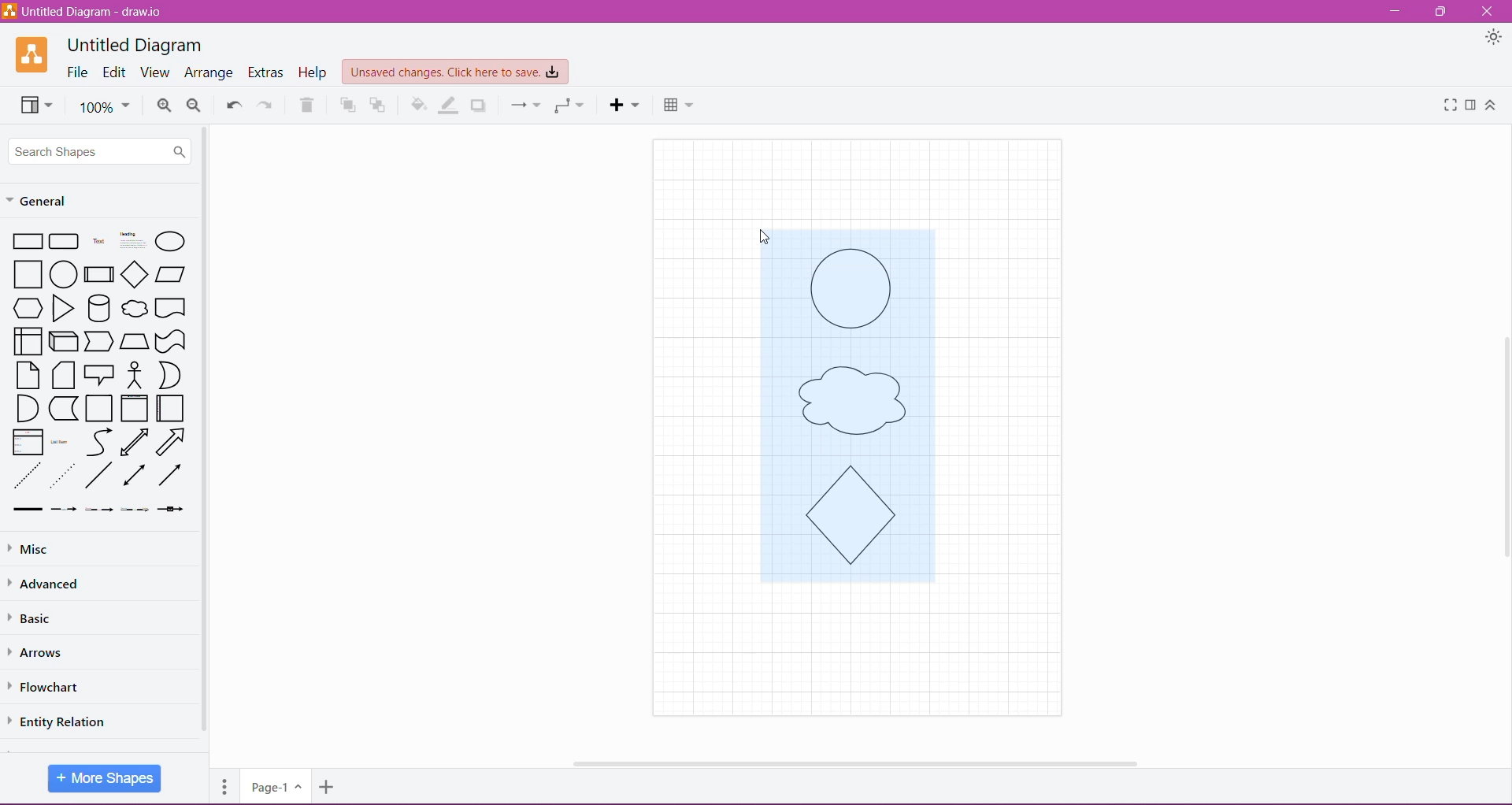 This screenshot has width=1512, height=805. I want to click on Page 1, so click(274, 785).